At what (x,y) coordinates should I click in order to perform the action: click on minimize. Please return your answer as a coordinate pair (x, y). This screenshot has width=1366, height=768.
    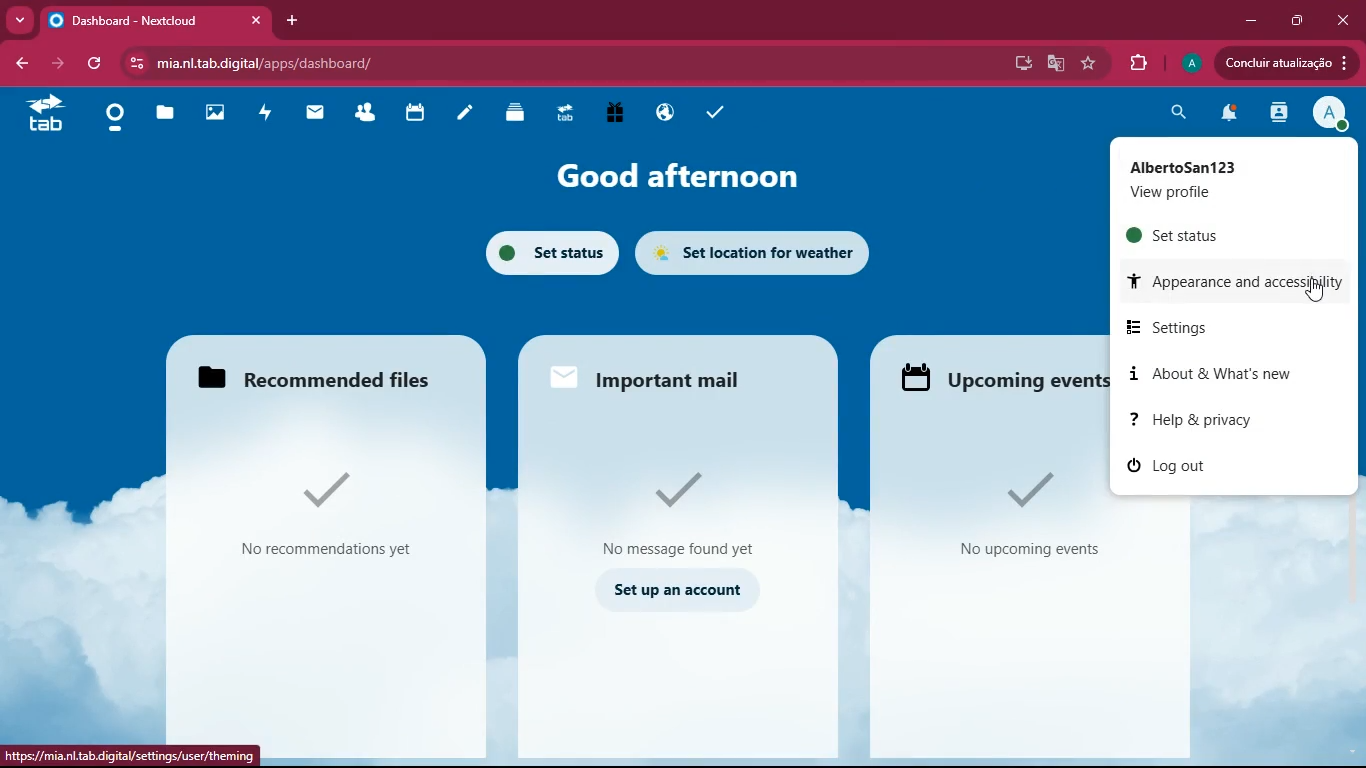
    Looking at the image, I should click on (1252, 20).